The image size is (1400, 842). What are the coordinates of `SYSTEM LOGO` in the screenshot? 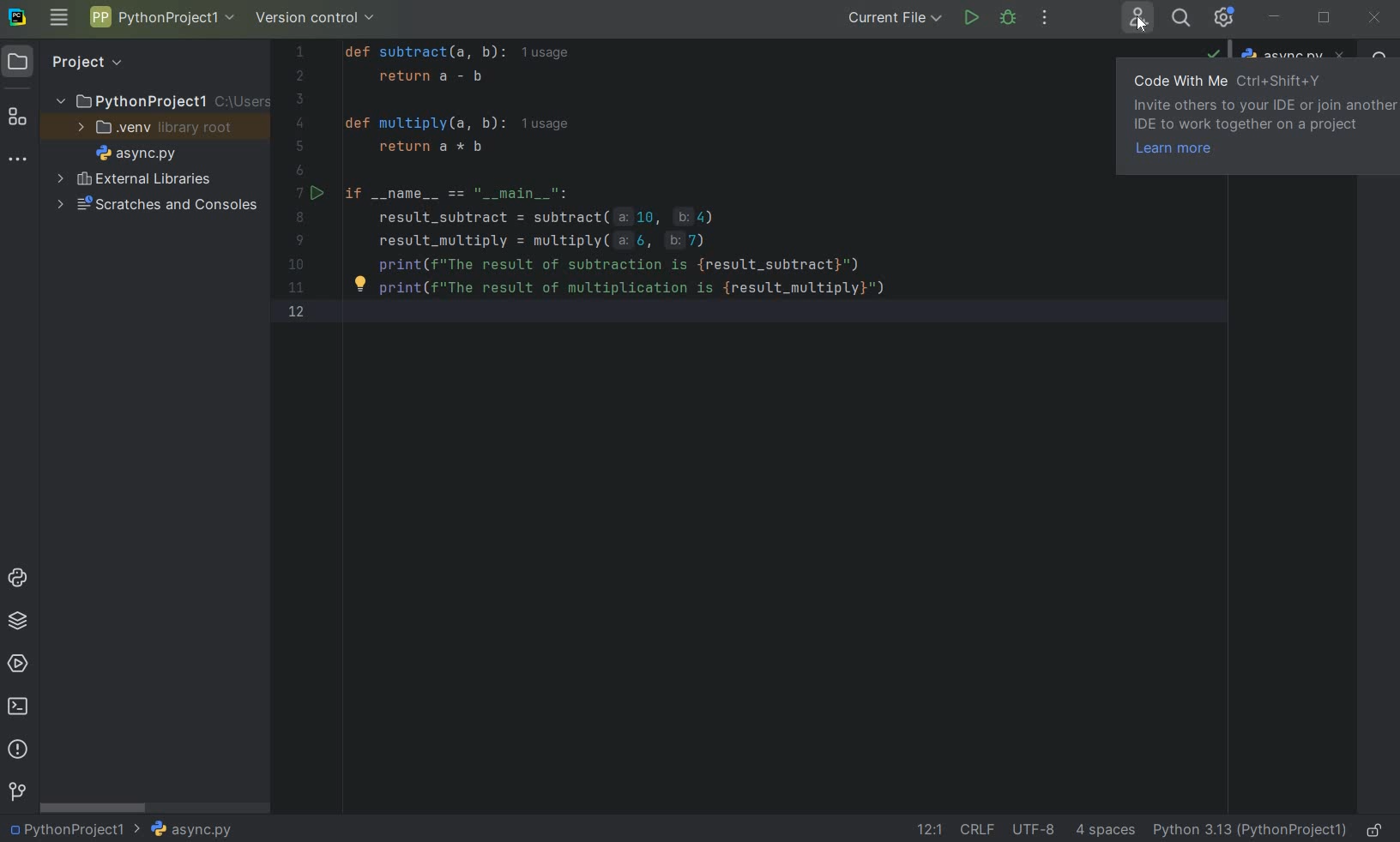 It's located at (19, 18).